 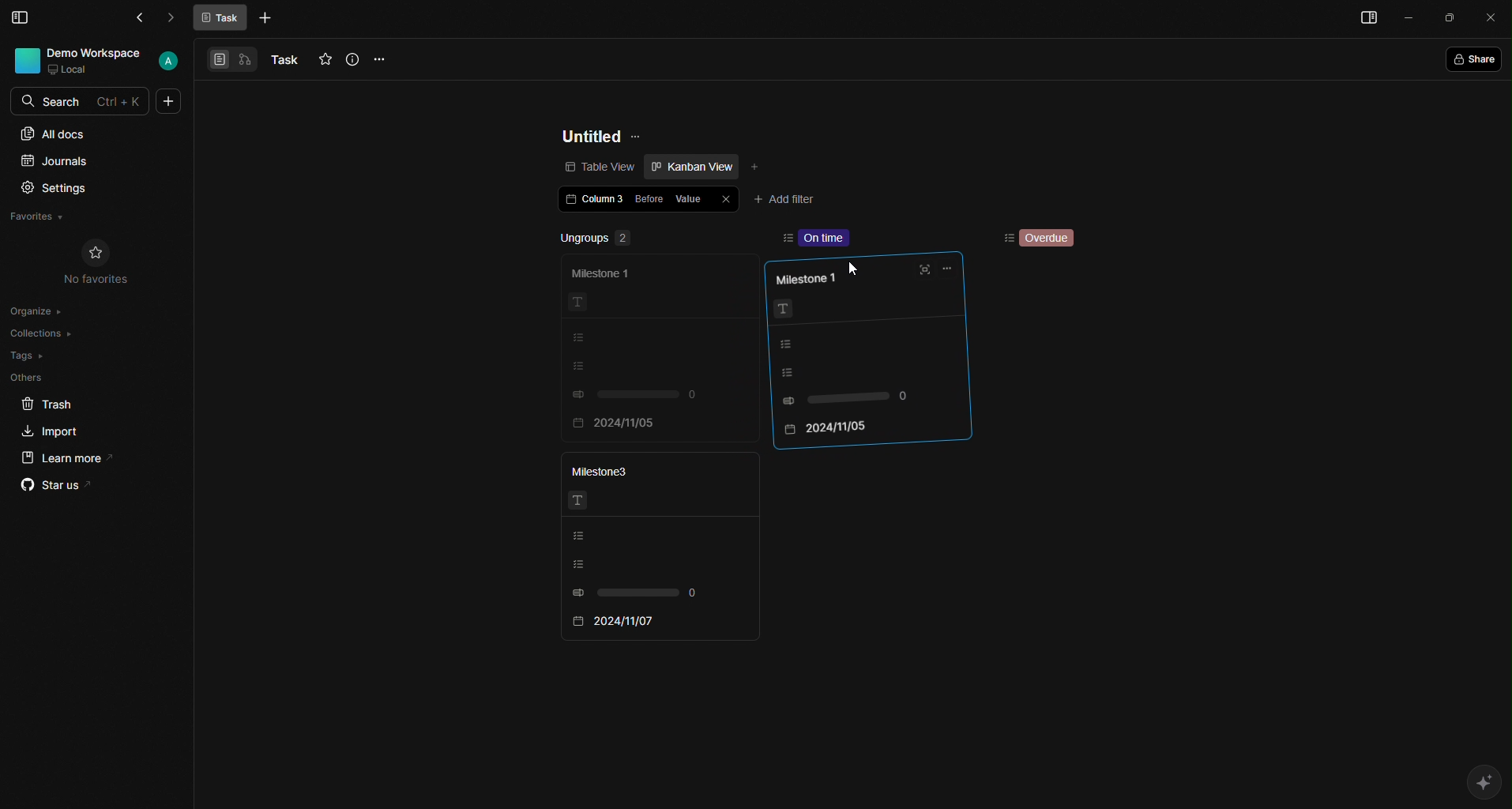 I want to click on Value, so click(x=689, y=196).